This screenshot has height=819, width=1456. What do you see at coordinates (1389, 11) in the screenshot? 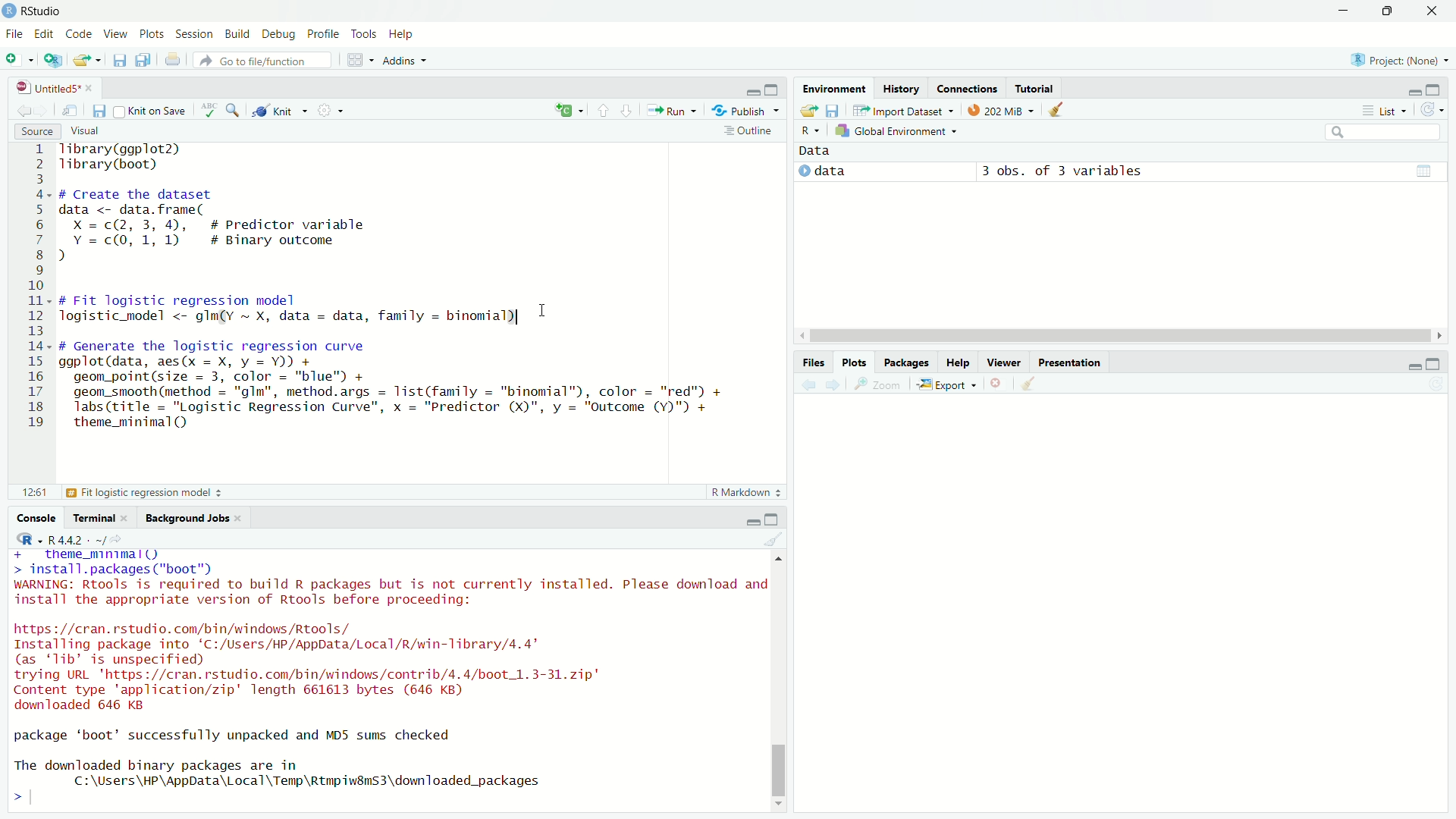
I see `restore` at bounding box center [1389, 11].